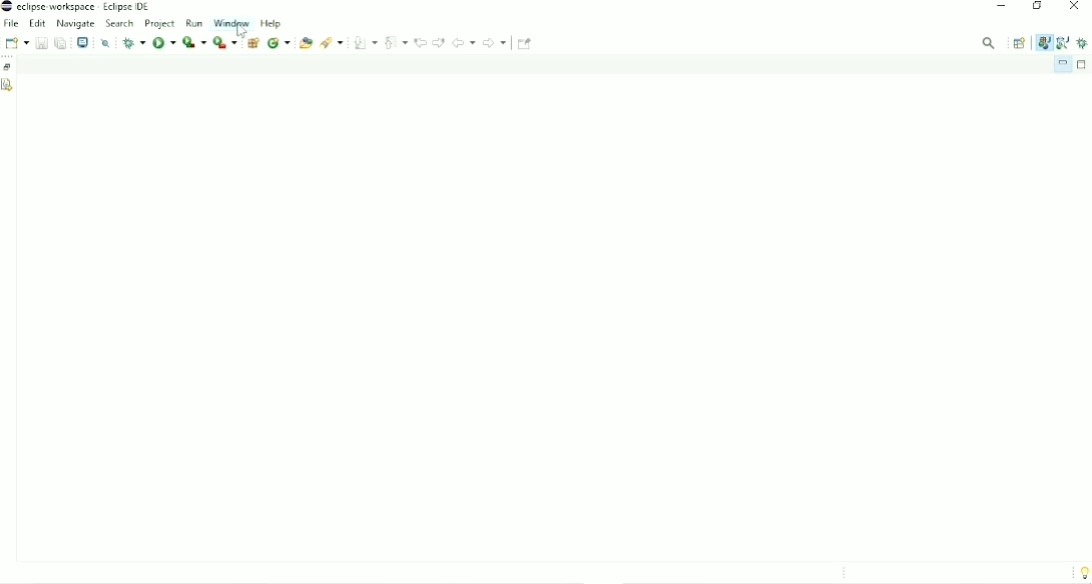 The height and width of the screenshot is (584, 1092). What do you see at coordinates (11, 24) in the screenshot?
I see `File` at bounding box center [11, 24].